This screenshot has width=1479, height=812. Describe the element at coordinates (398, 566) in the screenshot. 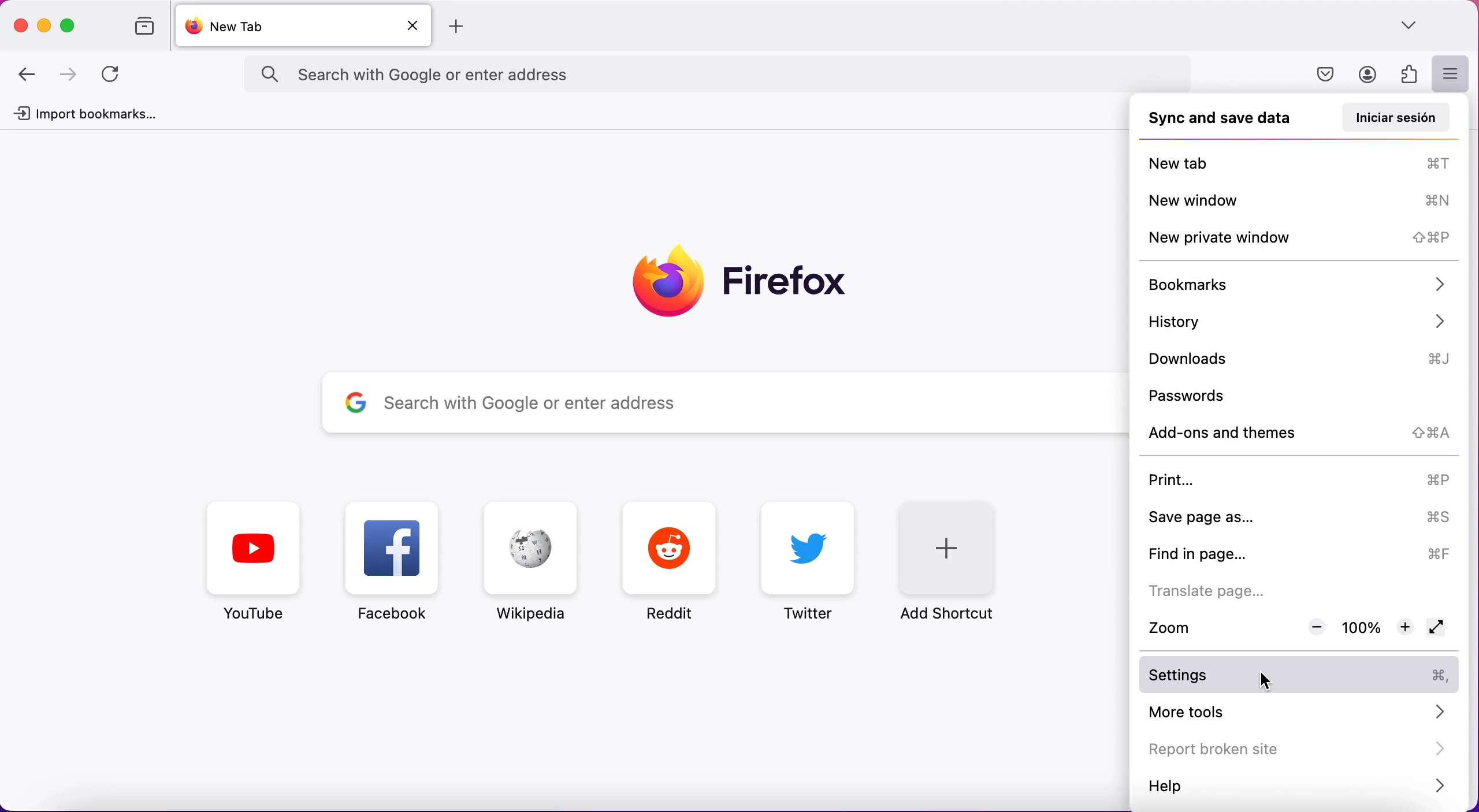

I see `` at that location.